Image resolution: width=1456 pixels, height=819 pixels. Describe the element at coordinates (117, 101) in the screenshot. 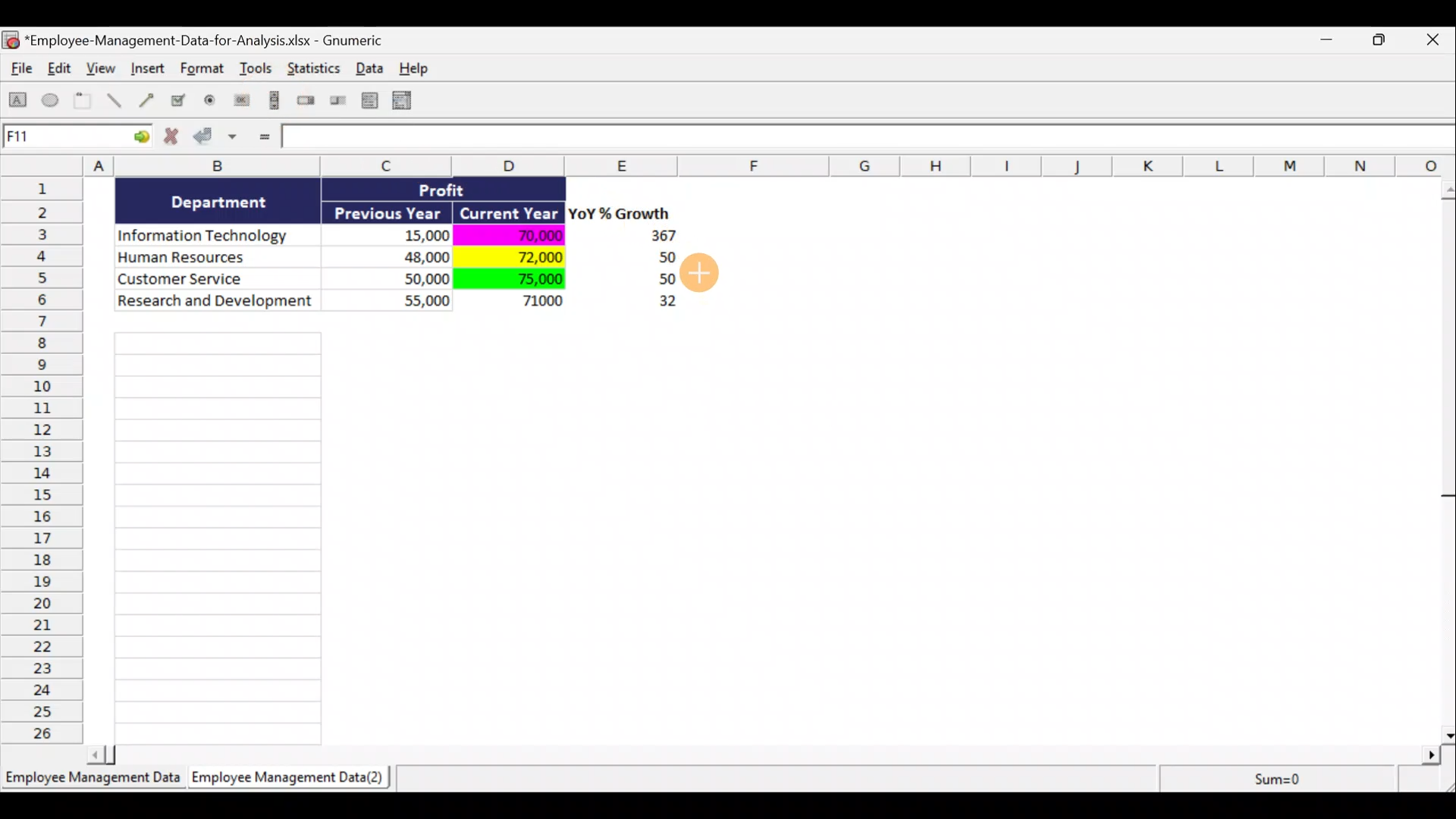

I see `Create a line object` at that location.